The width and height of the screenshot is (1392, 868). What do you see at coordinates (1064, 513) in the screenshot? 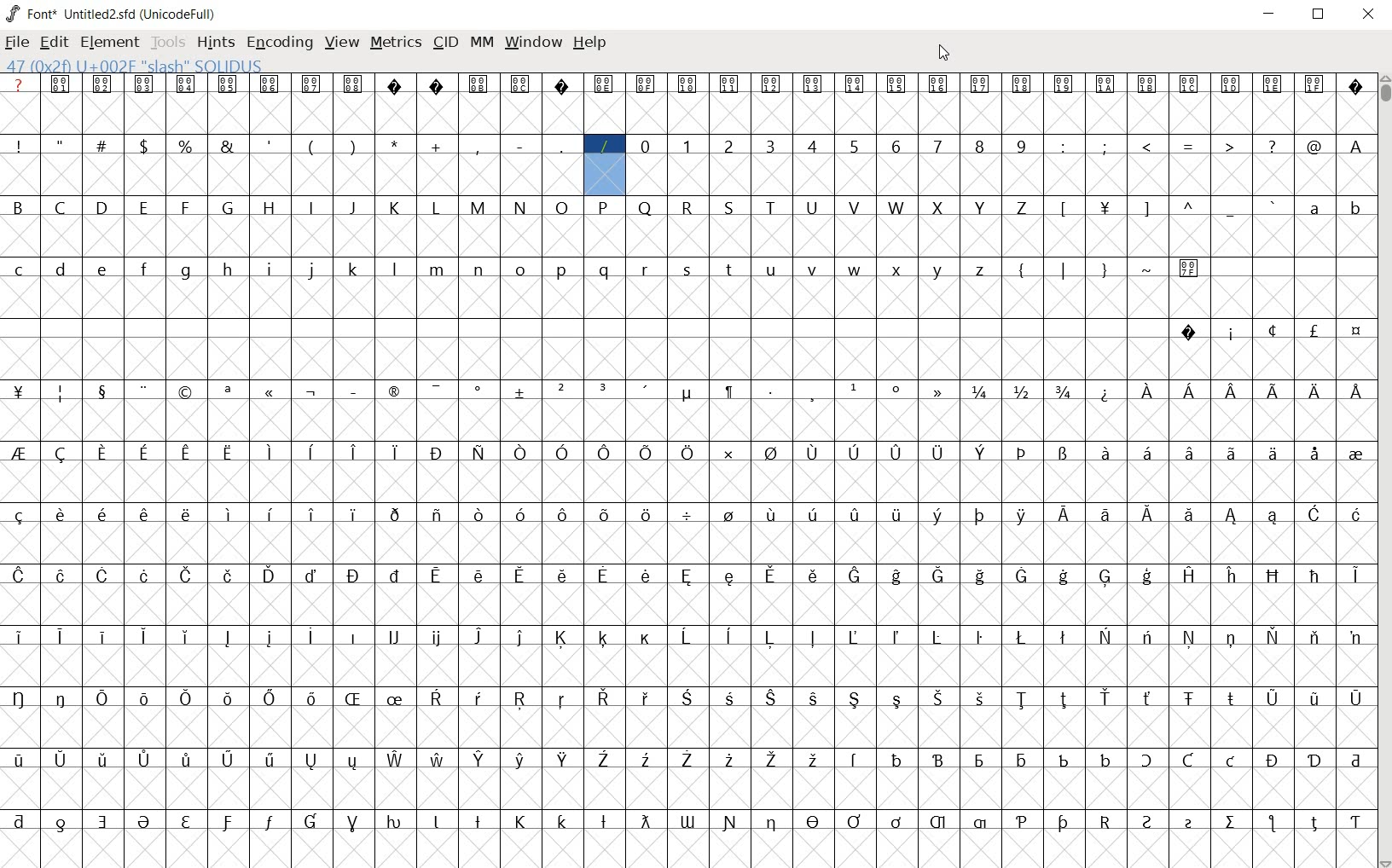
I see `glyph` at bounding box center [1064, 513].